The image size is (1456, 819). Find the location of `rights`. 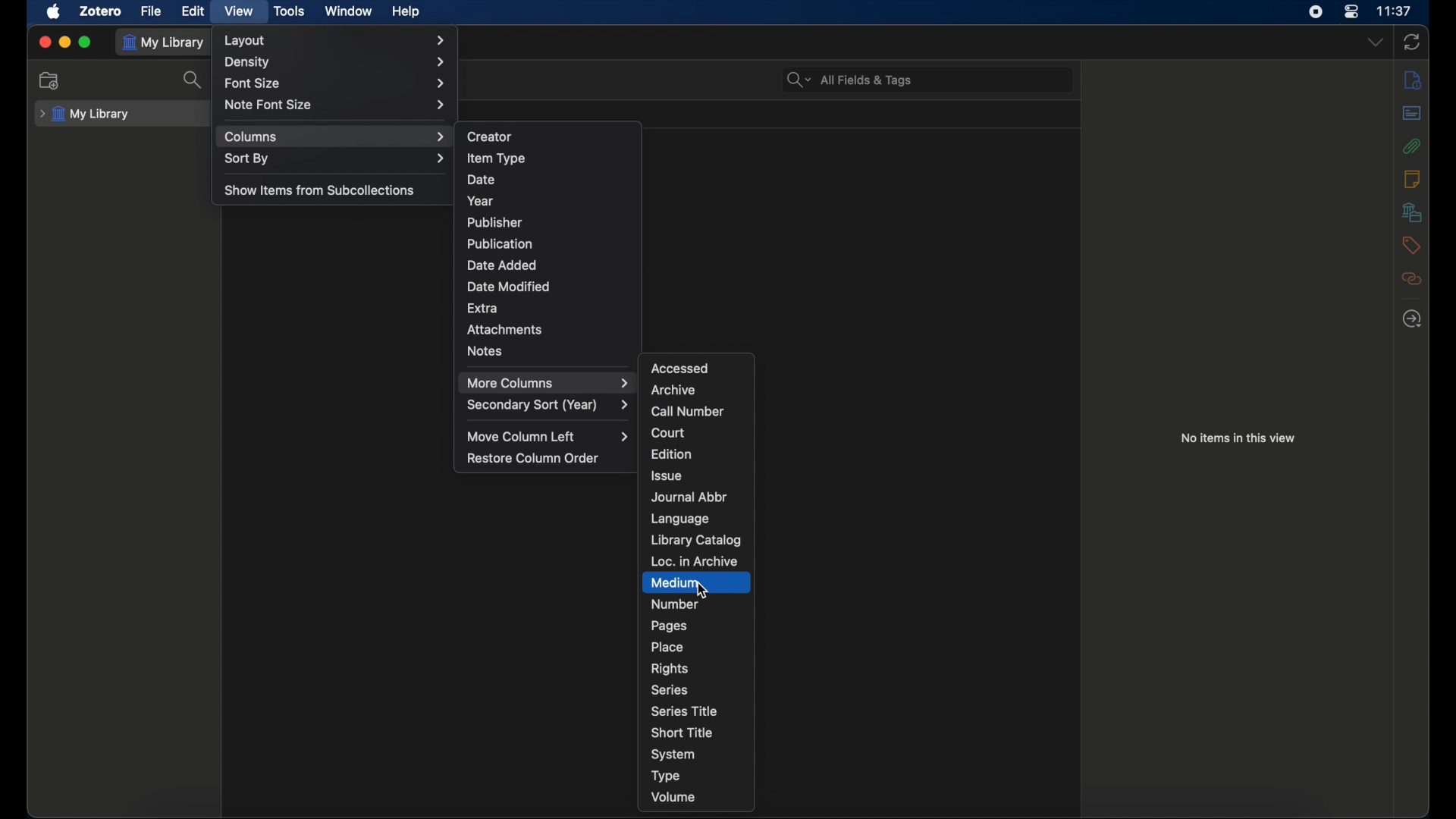

rights is located at coordinates (670, 668).